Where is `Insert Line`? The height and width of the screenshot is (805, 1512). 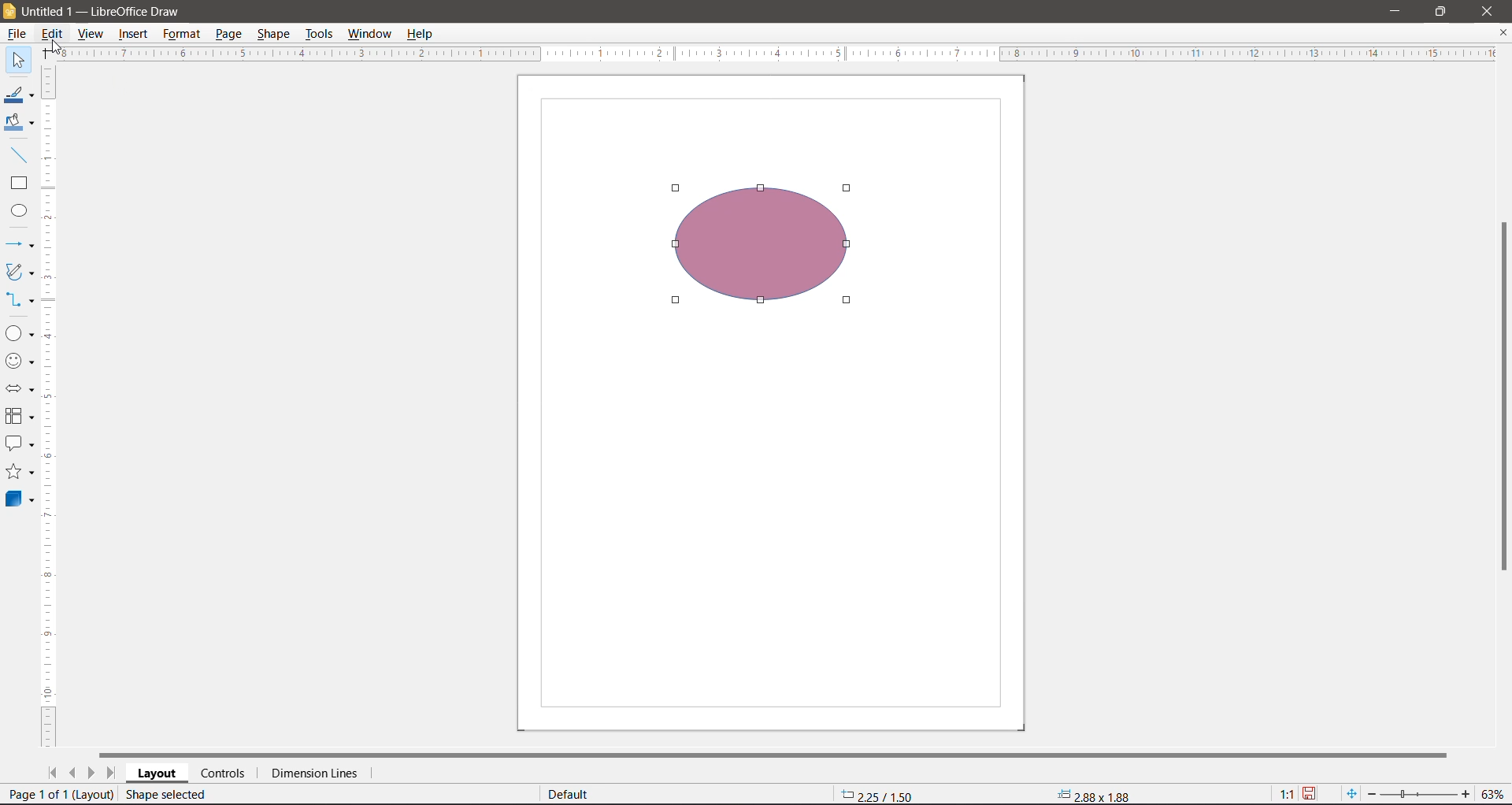 Insert Line is located at coordinates (18, 154).